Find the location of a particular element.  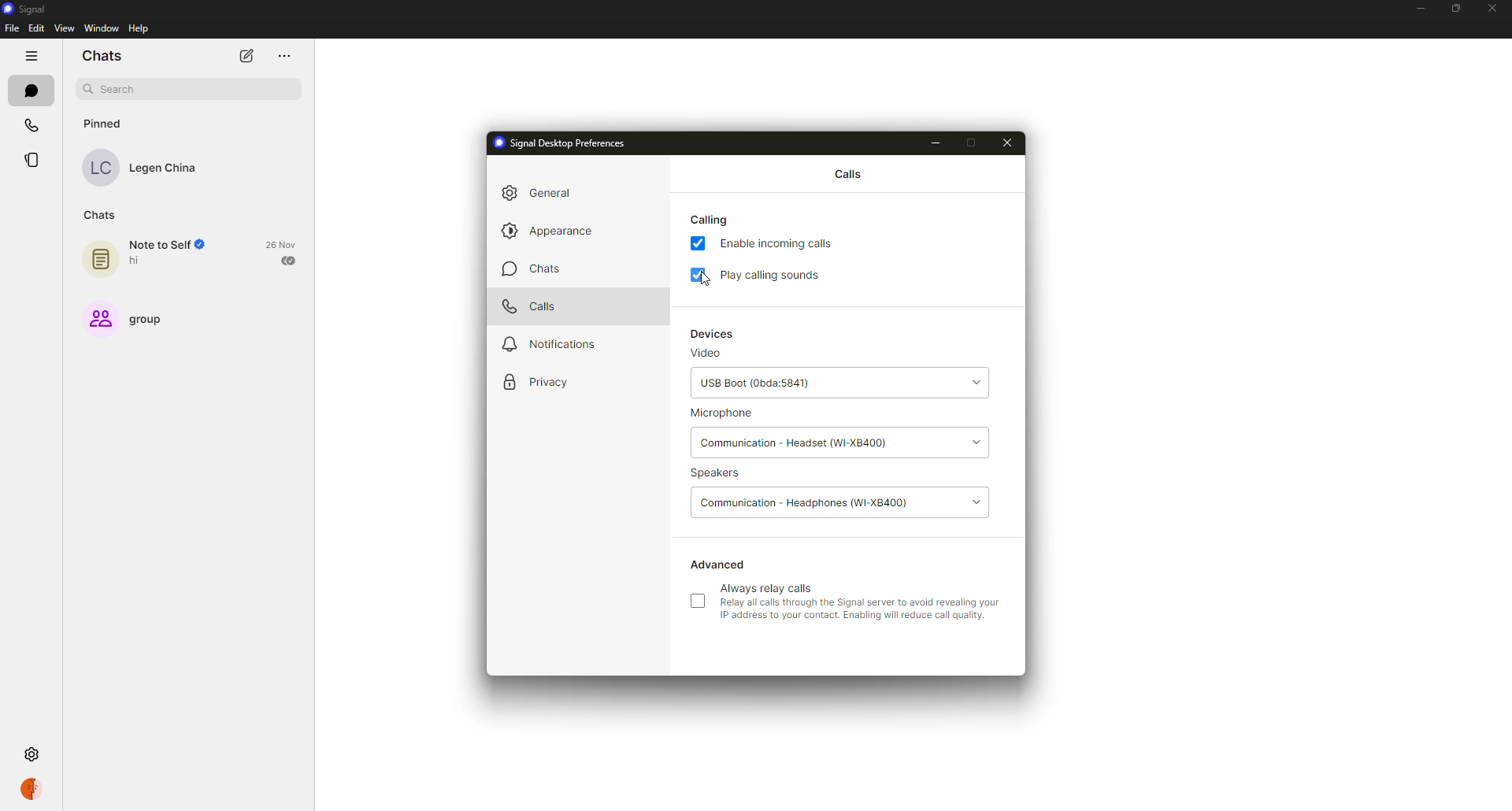

cursor is located at coordinates (702, 283).